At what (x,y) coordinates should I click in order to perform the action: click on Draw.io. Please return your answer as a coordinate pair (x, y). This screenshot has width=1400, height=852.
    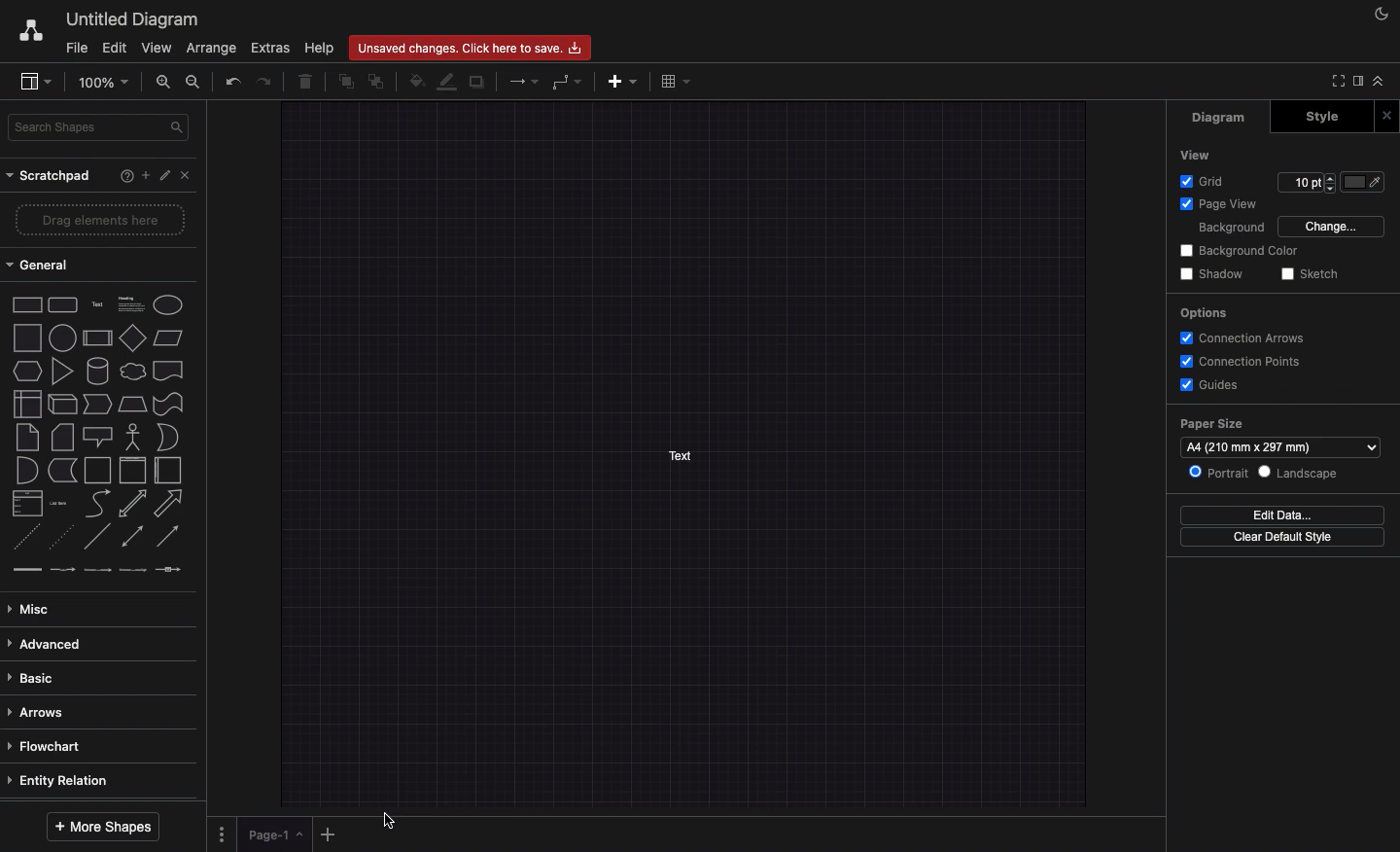
    Looking at the image, I should click on (26, 29).